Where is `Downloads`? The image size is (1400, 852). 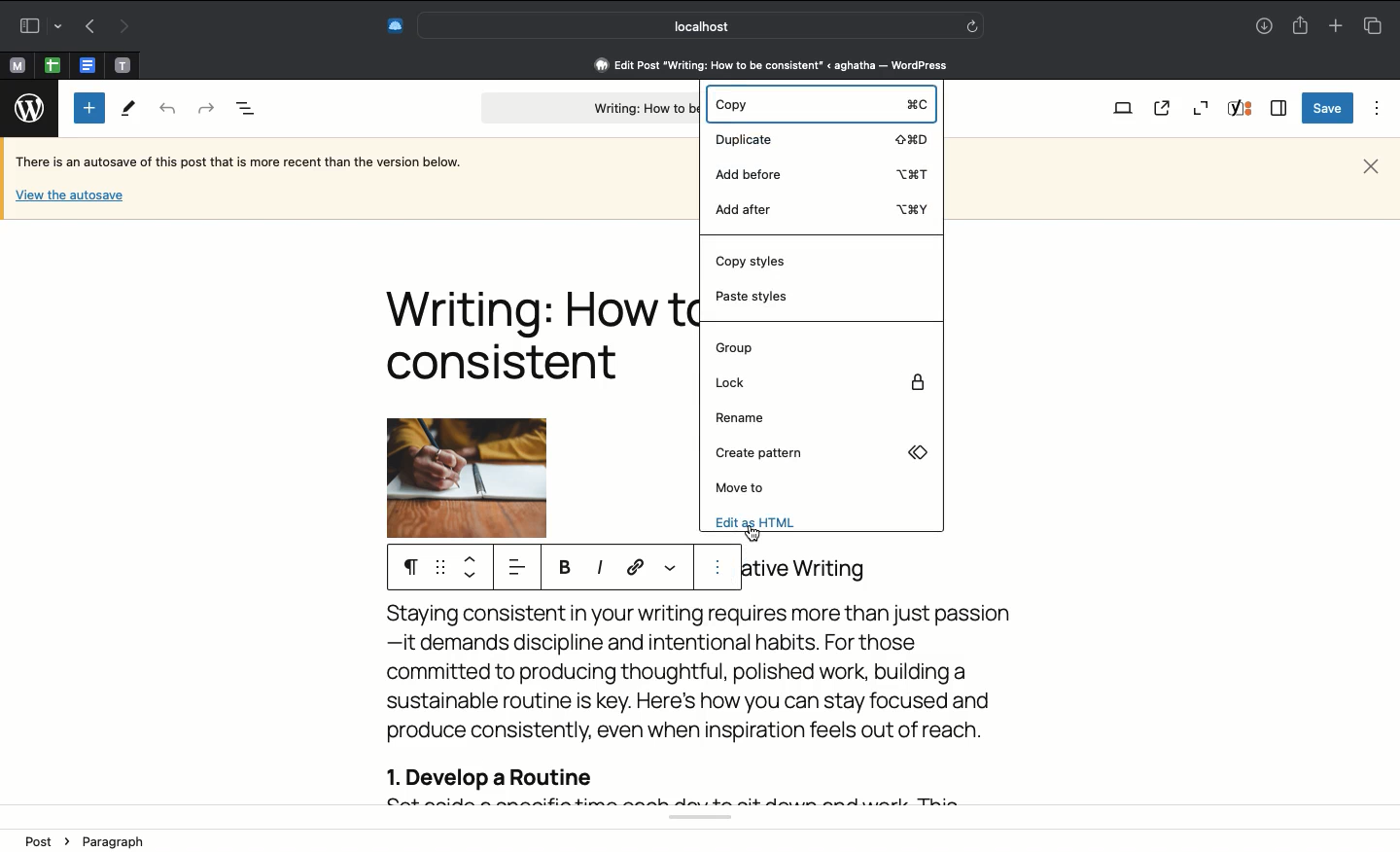
Downloads is located at coordinates (1264, 27).